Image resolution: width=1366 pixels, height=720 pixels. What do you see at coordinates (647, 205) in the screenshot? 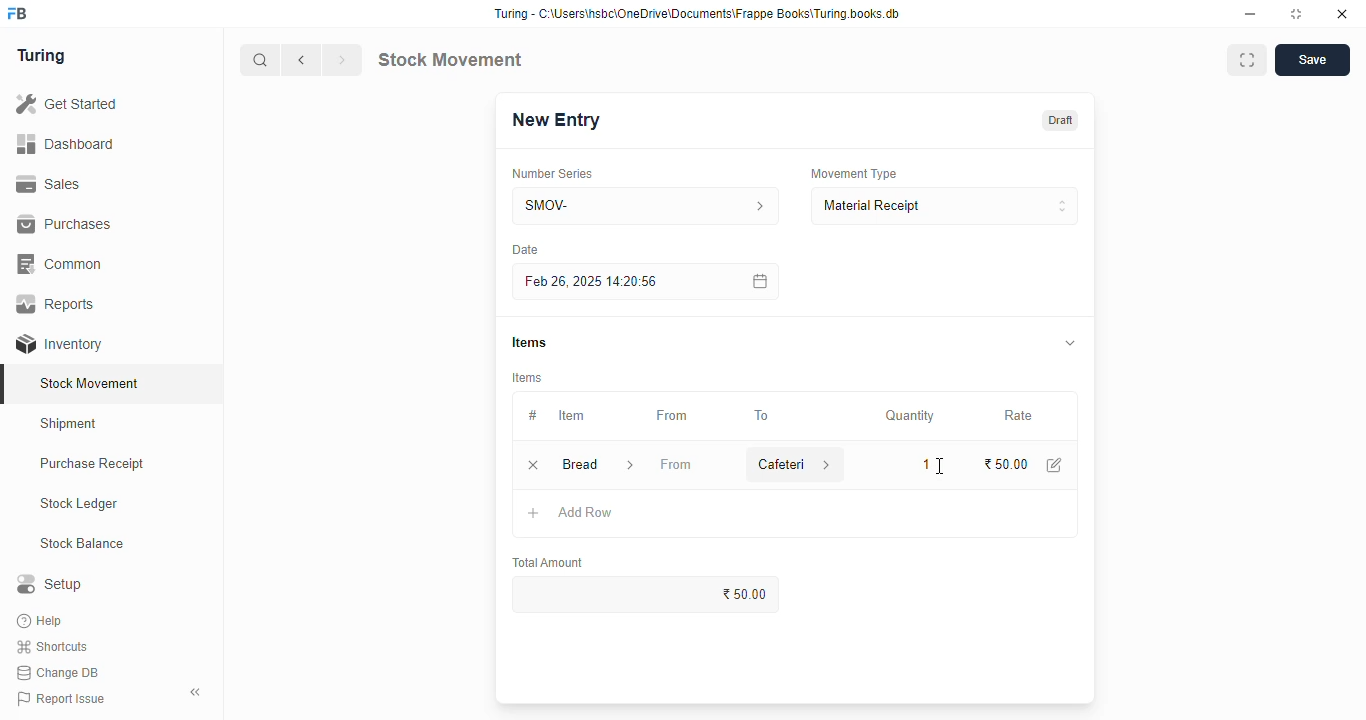
I see `SMOV-` at bounding box center [647, 205].